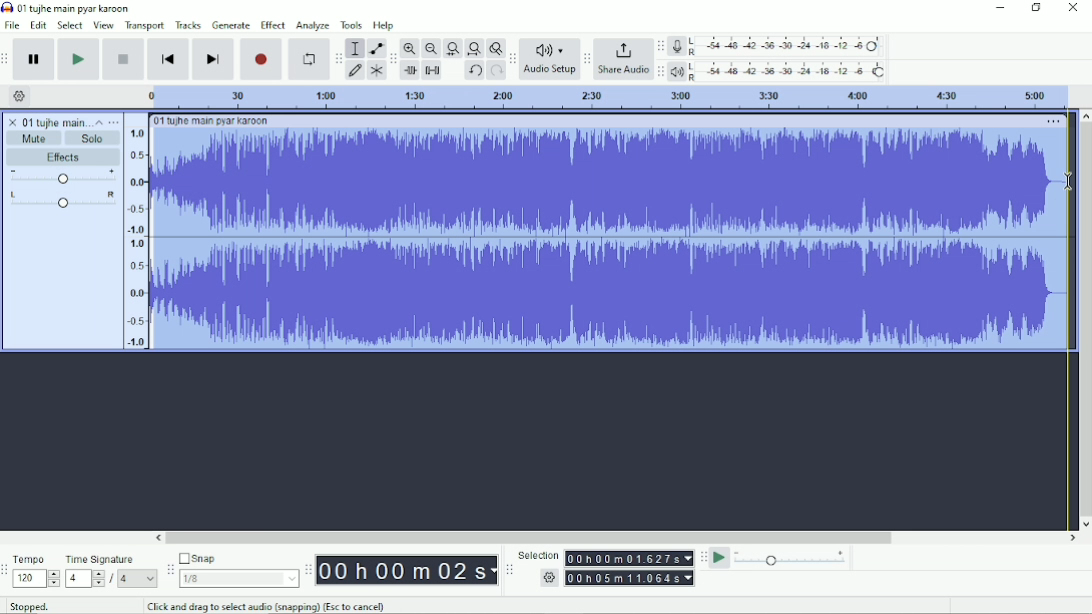 This screenshot has height=614, width=1092. What do you see at coordinates (587, 58) in the screenshot?
I see `Audacity share audio toolbar` at bounding box center [587, 58].